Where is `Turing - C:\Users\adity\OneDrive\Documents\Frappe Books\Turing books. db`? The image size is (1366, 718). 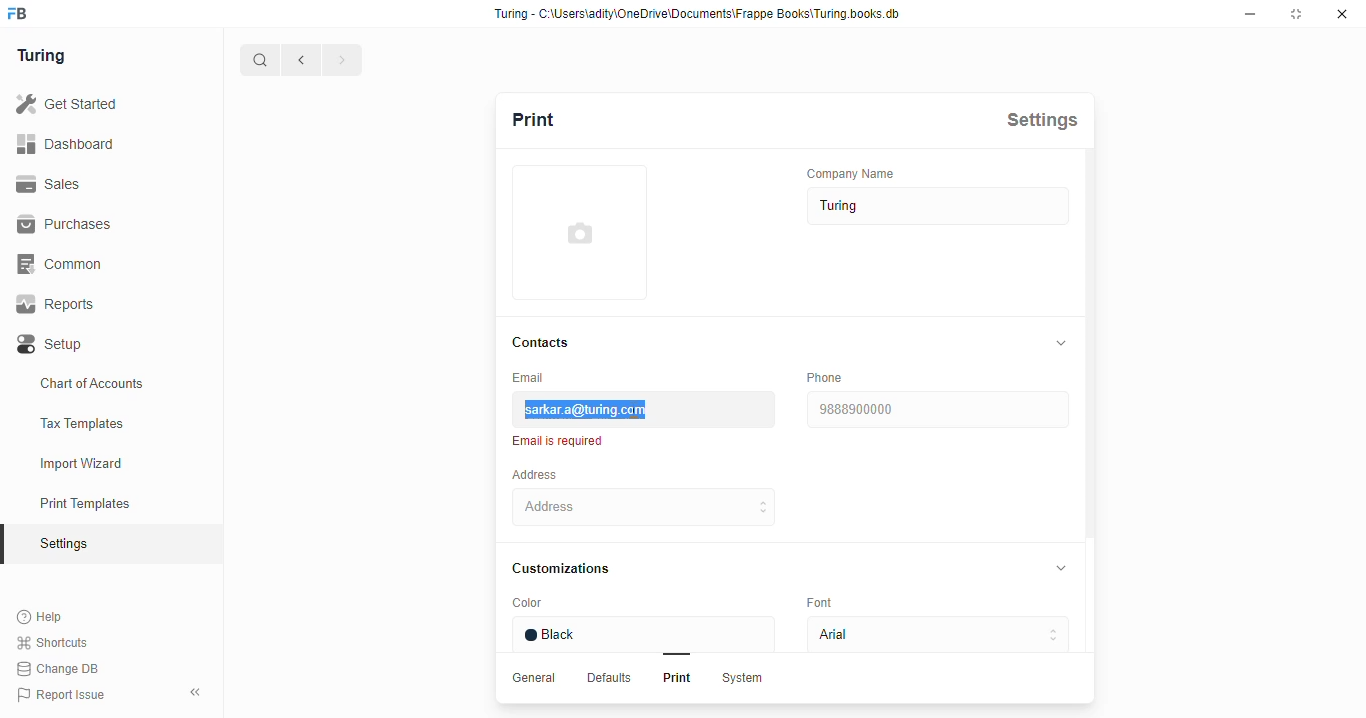
Turing - C:\Users\adity\OneDrive\Documents\Frappe Books\Turing books. db is located at coordinates (702, 14).